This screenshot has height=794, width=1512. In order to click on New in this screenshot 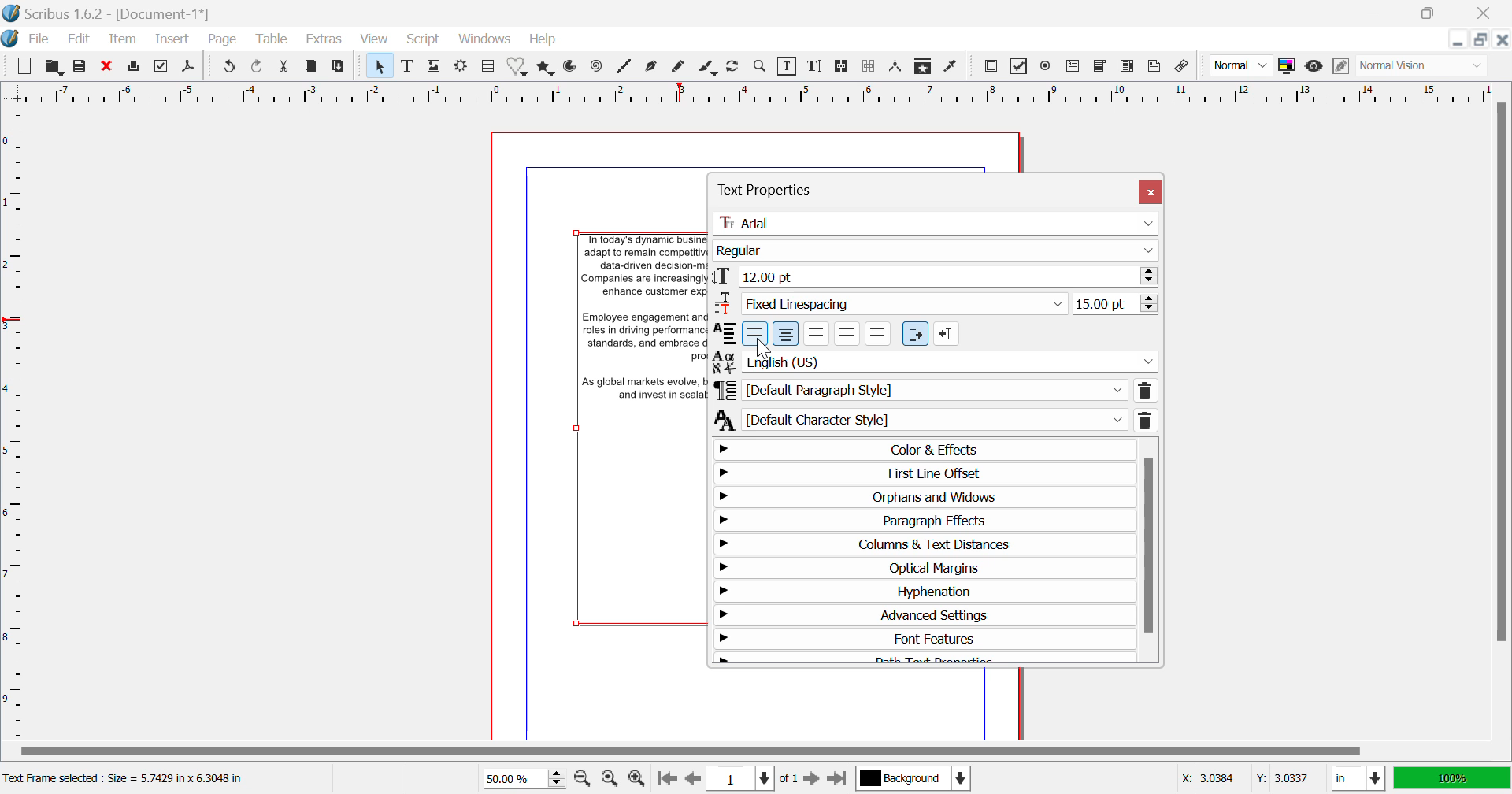, I will do `click(24, 63)`.